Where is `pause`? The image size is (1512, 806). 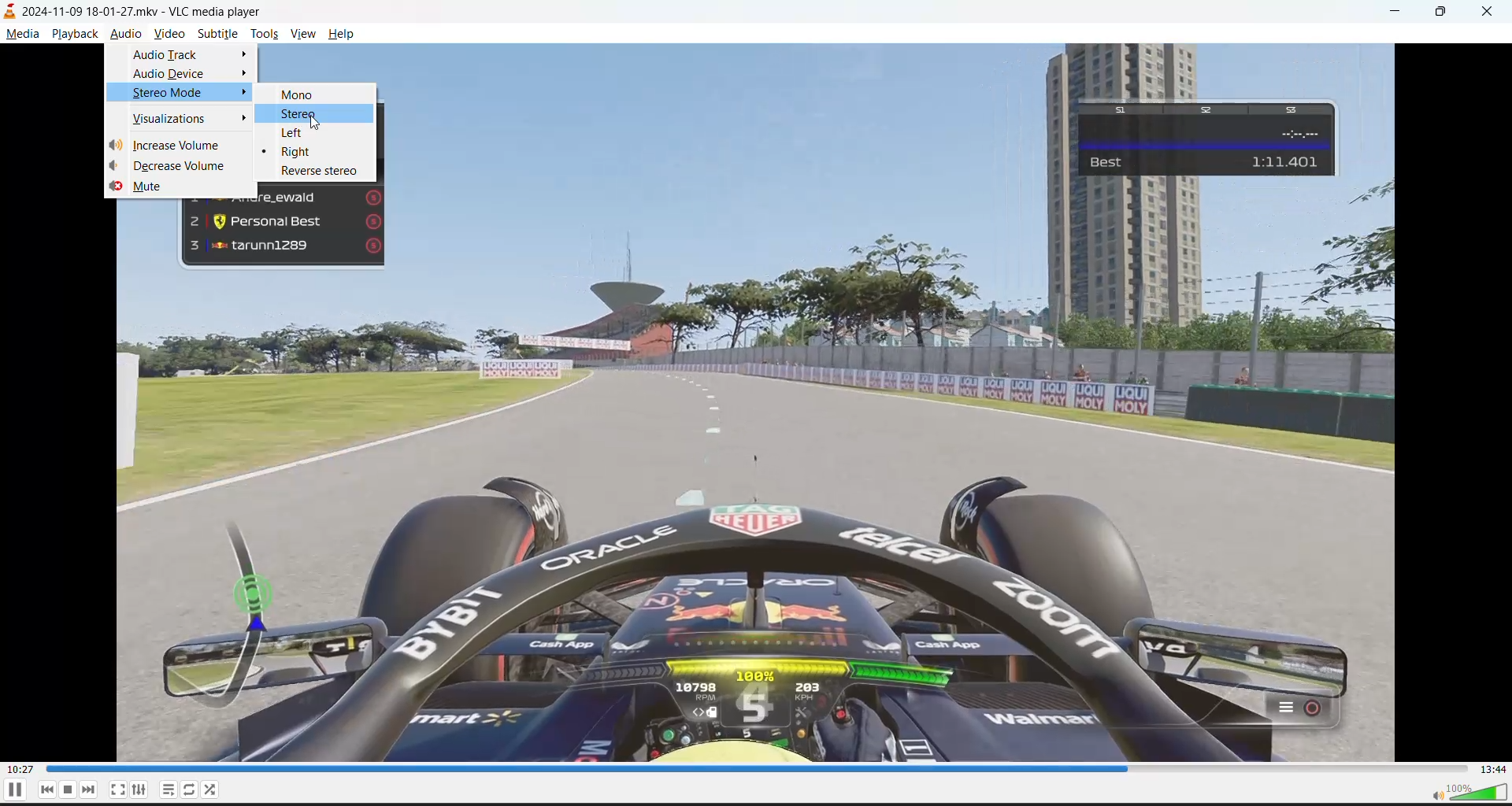
pause is located at coordinates (13, 790).